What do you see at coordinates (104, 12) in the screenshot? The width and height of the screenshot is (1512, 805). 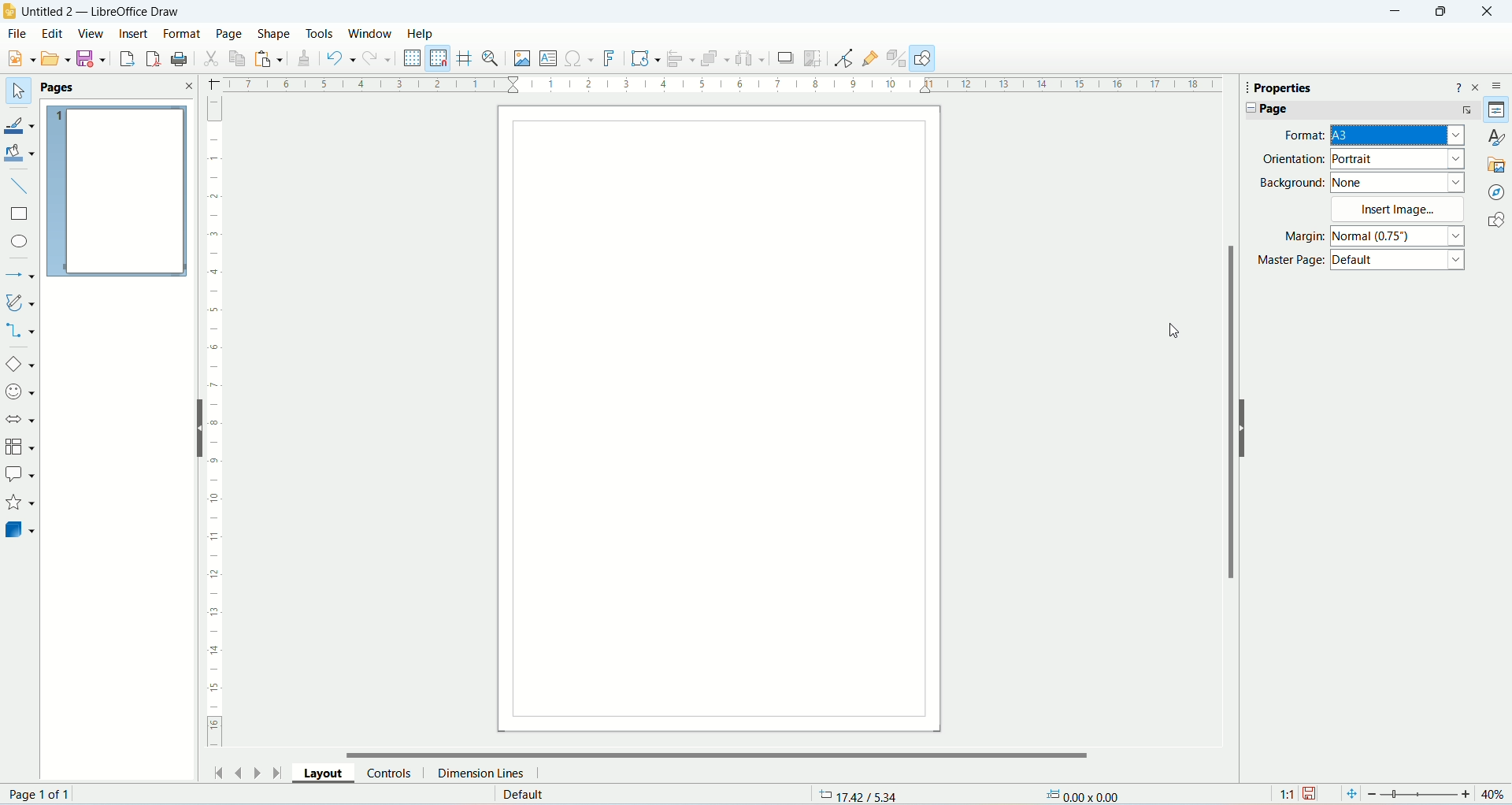 I see `title` at bounding box center [104, 12].